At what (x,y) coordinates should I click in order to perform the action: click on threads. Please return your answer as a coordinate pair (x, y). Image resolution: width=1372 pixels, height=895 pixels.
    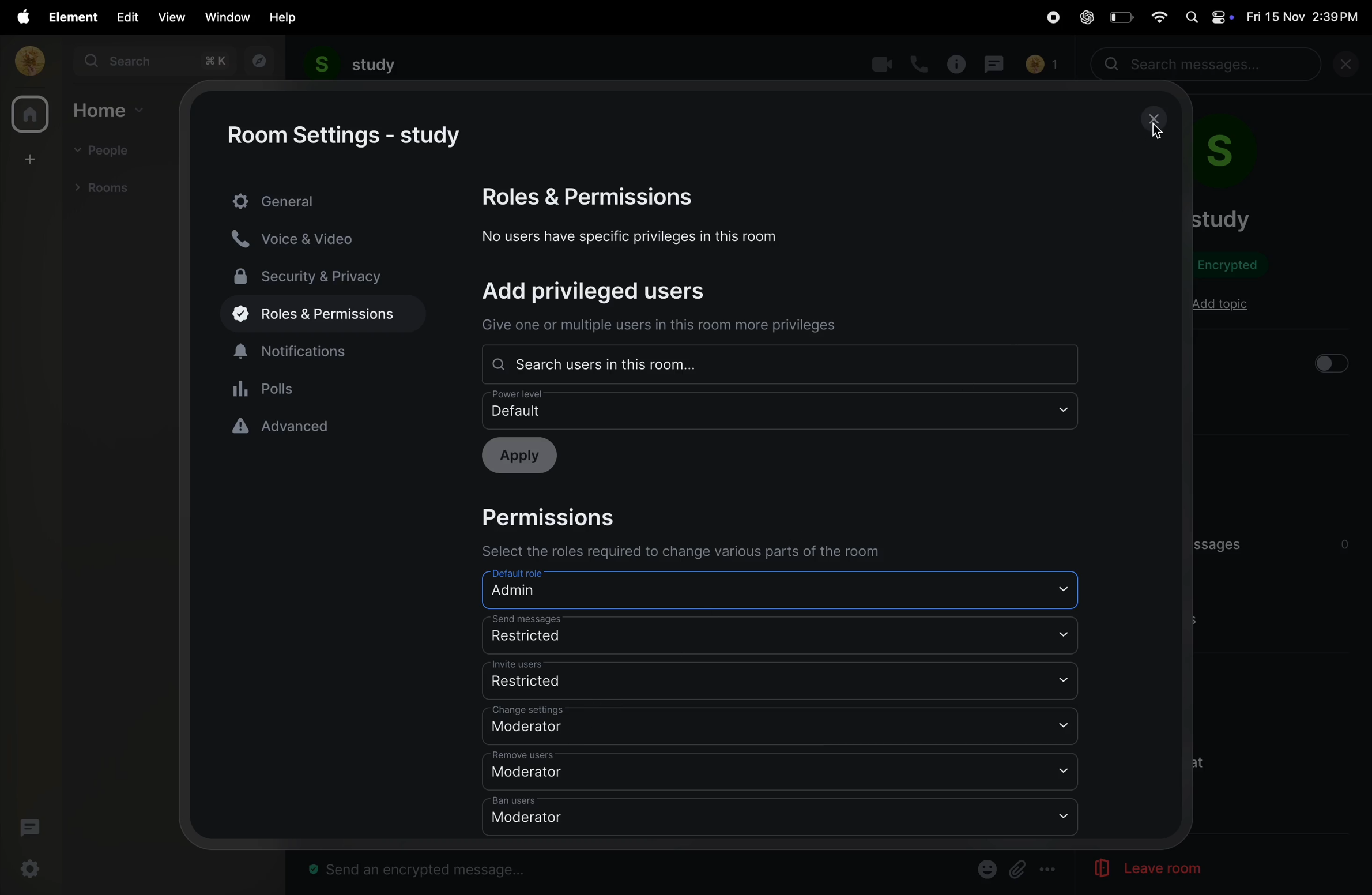
    Looking at the image, I should click on (29, 830).